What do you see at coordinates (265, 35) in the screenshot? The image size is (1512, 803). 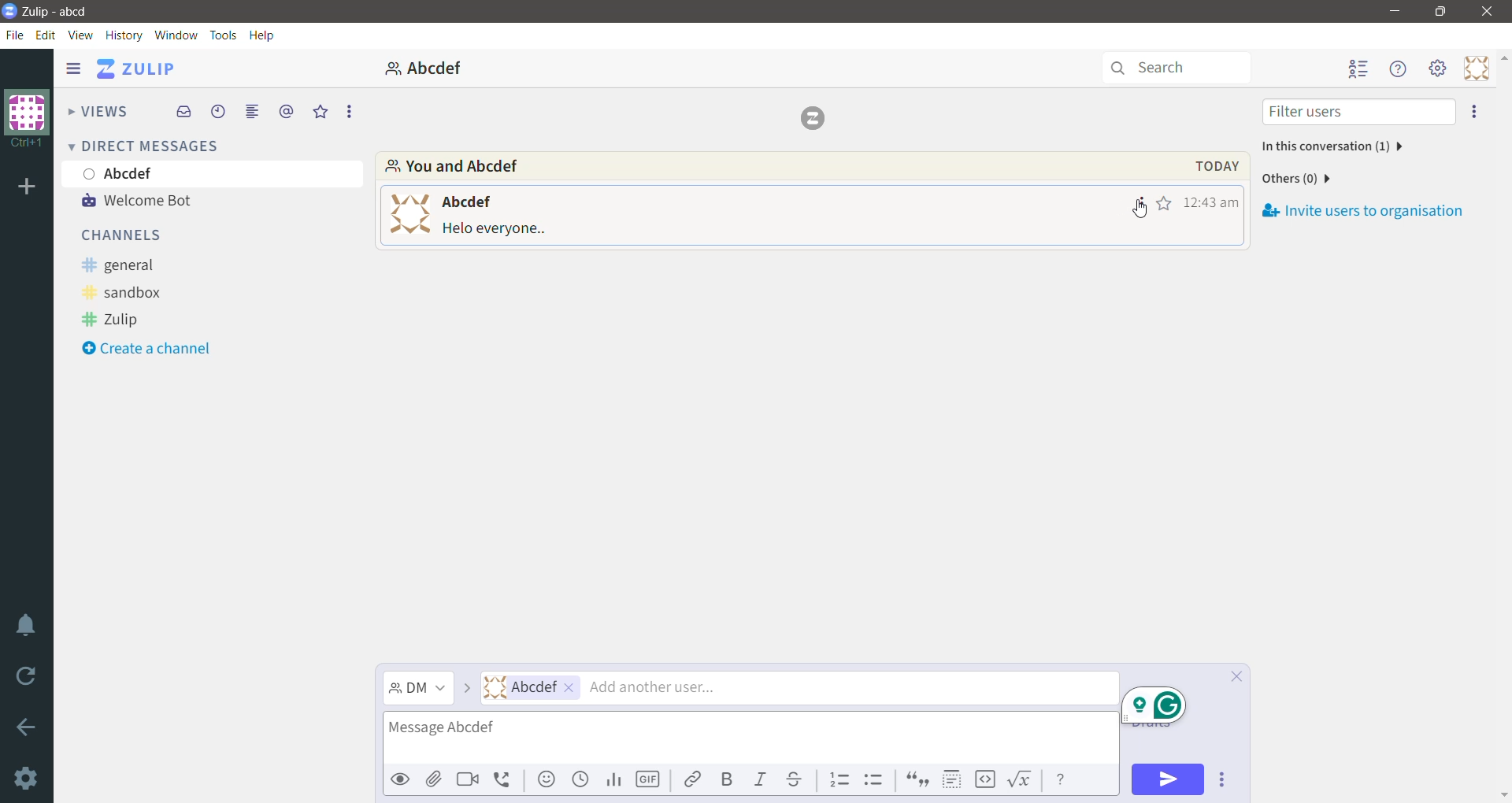 I see `Help` at bounding box center [265, 35].